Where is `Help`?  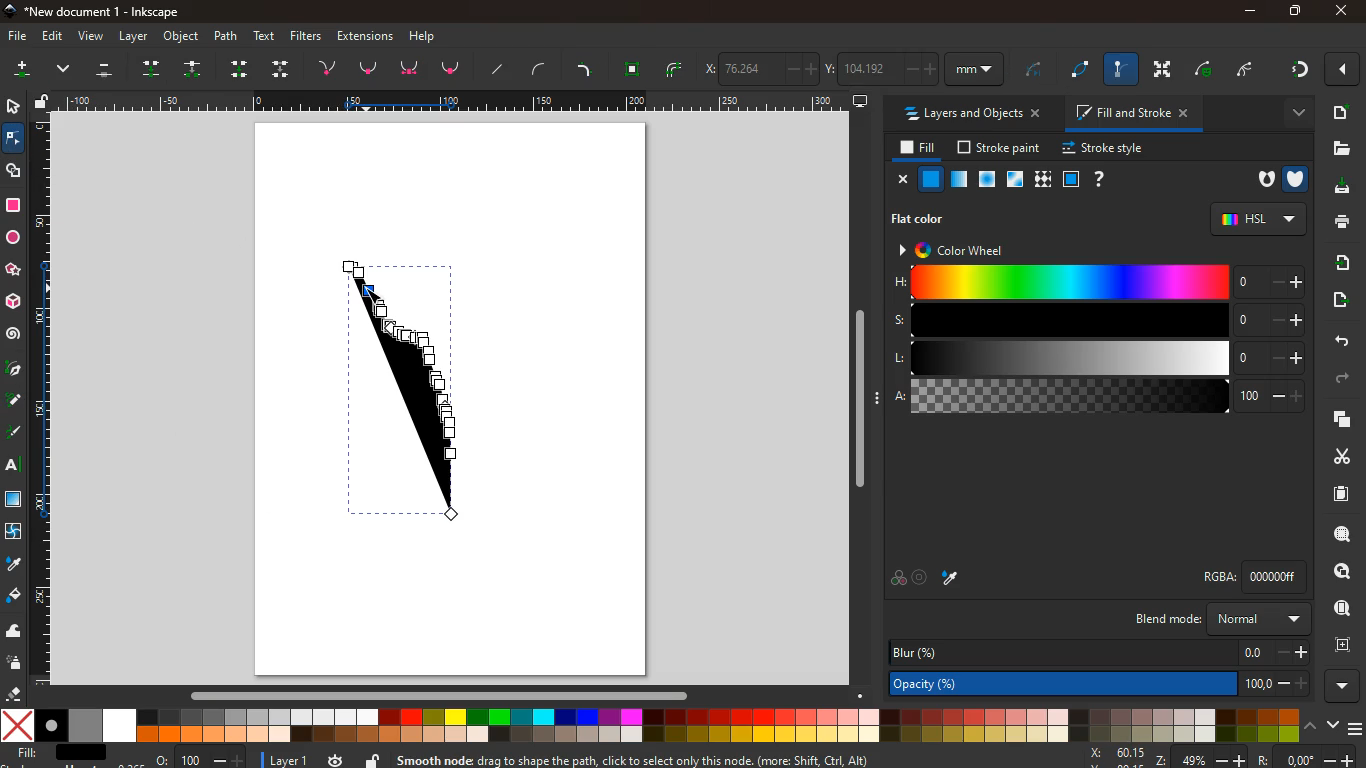 Help is located at coordinates (427, 35).